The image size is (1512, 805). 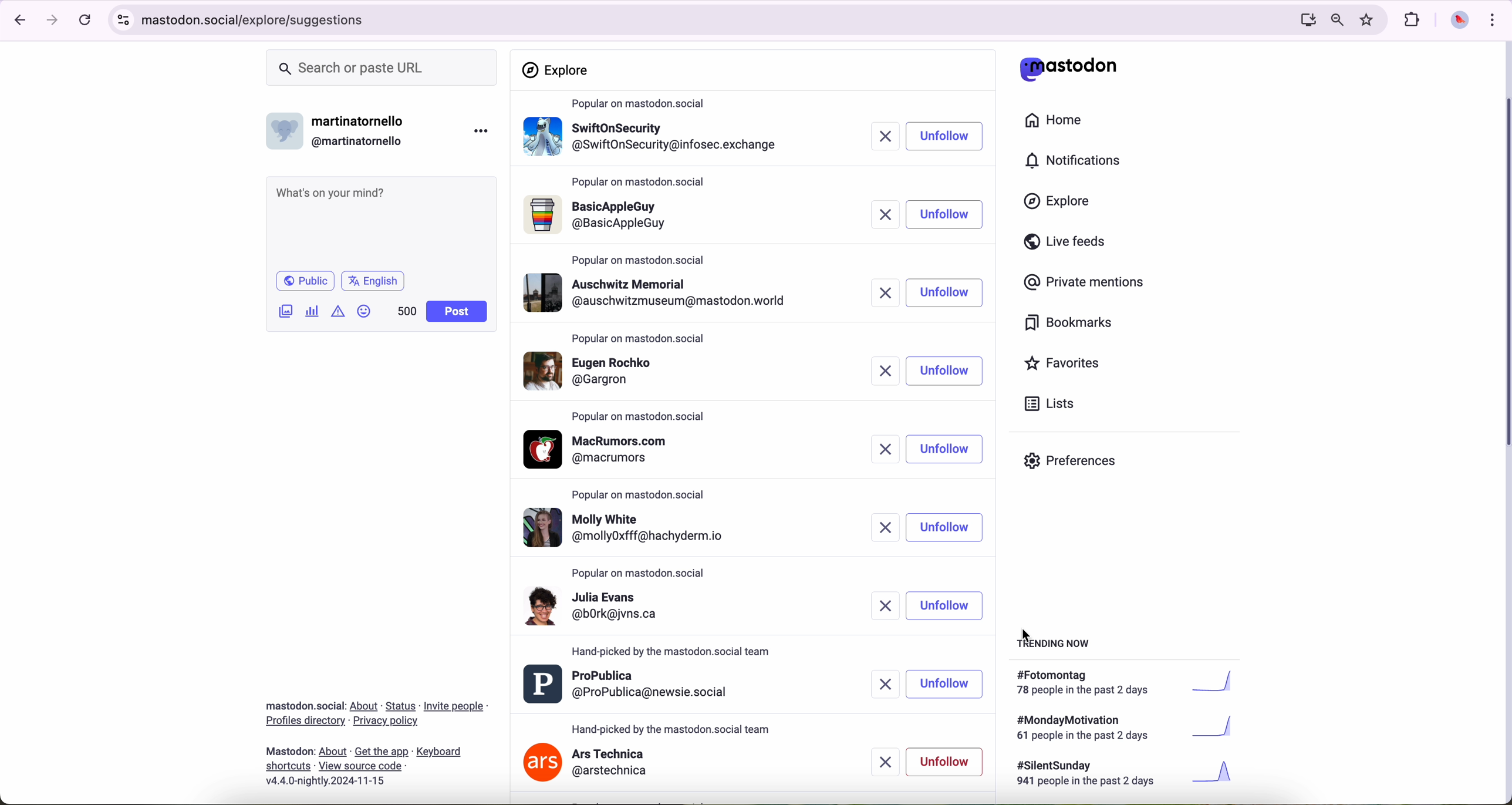 What do you see at coordinates (889, 762) in the screenshot?
I see `remove` at bounding box center [889, 762].